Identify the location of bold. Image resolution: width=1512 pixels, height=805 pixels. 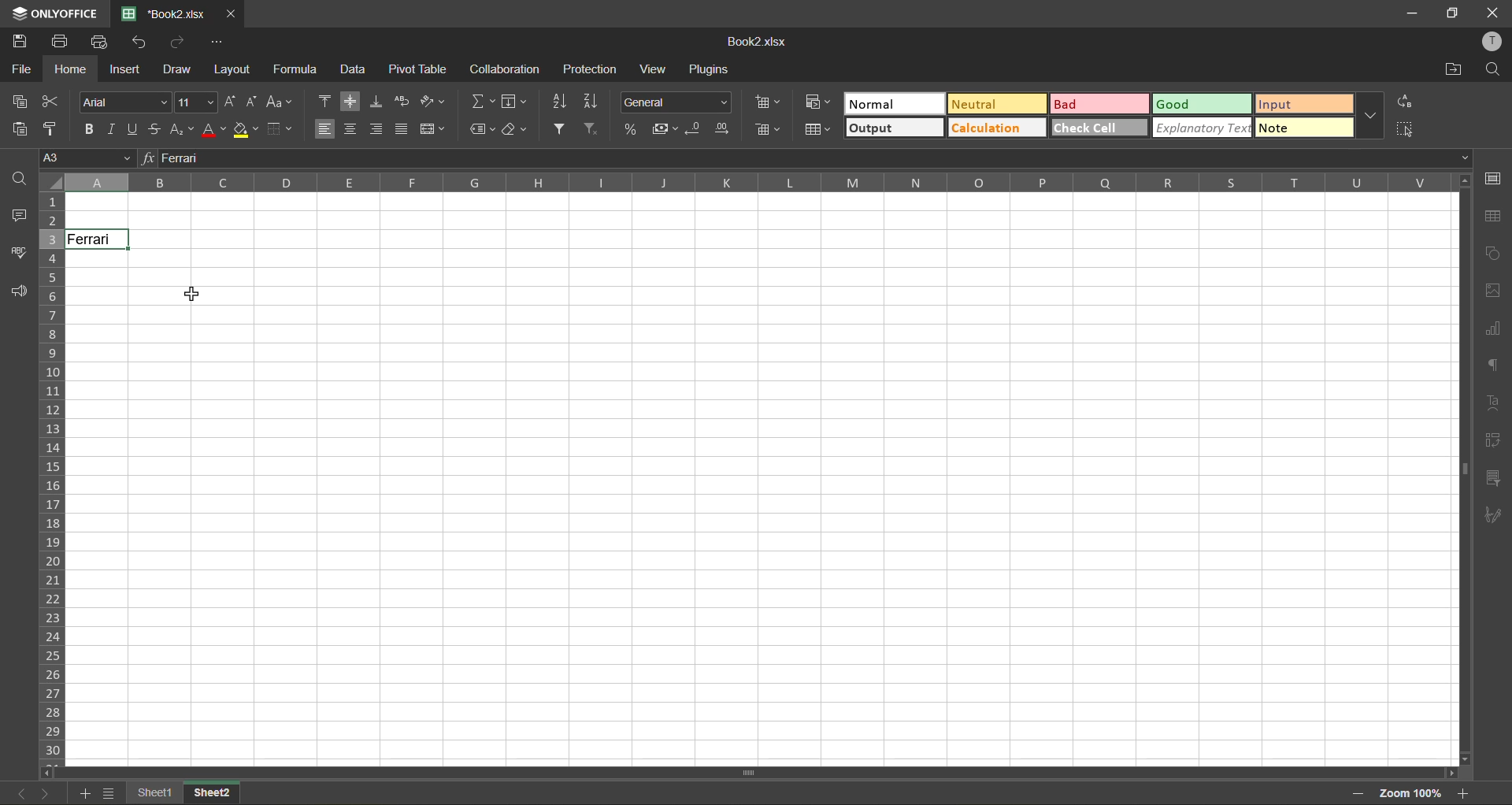
(87, 130).